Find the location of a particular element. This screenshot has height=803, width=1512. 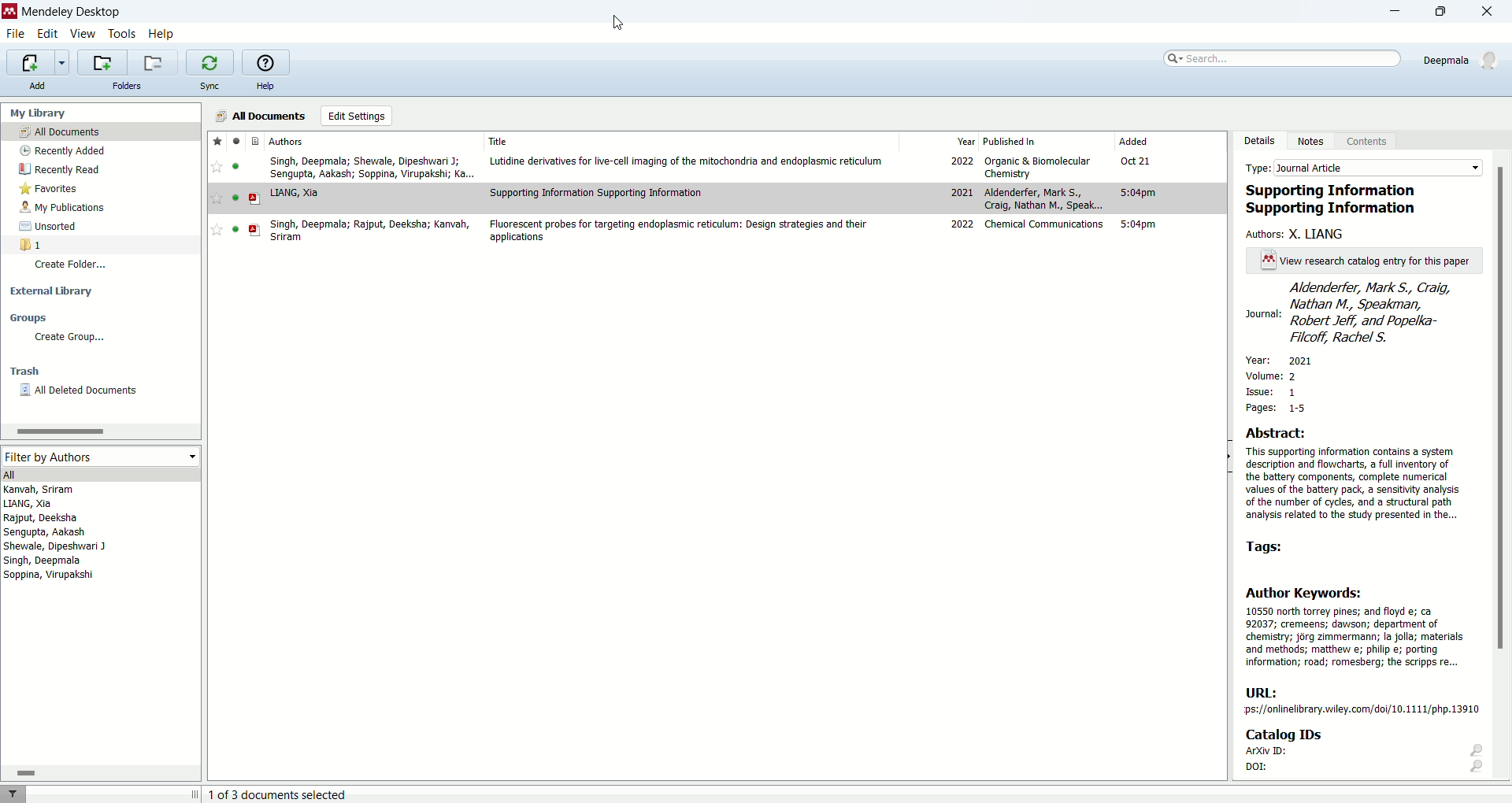

Create group is located at coordinates (69, 338).